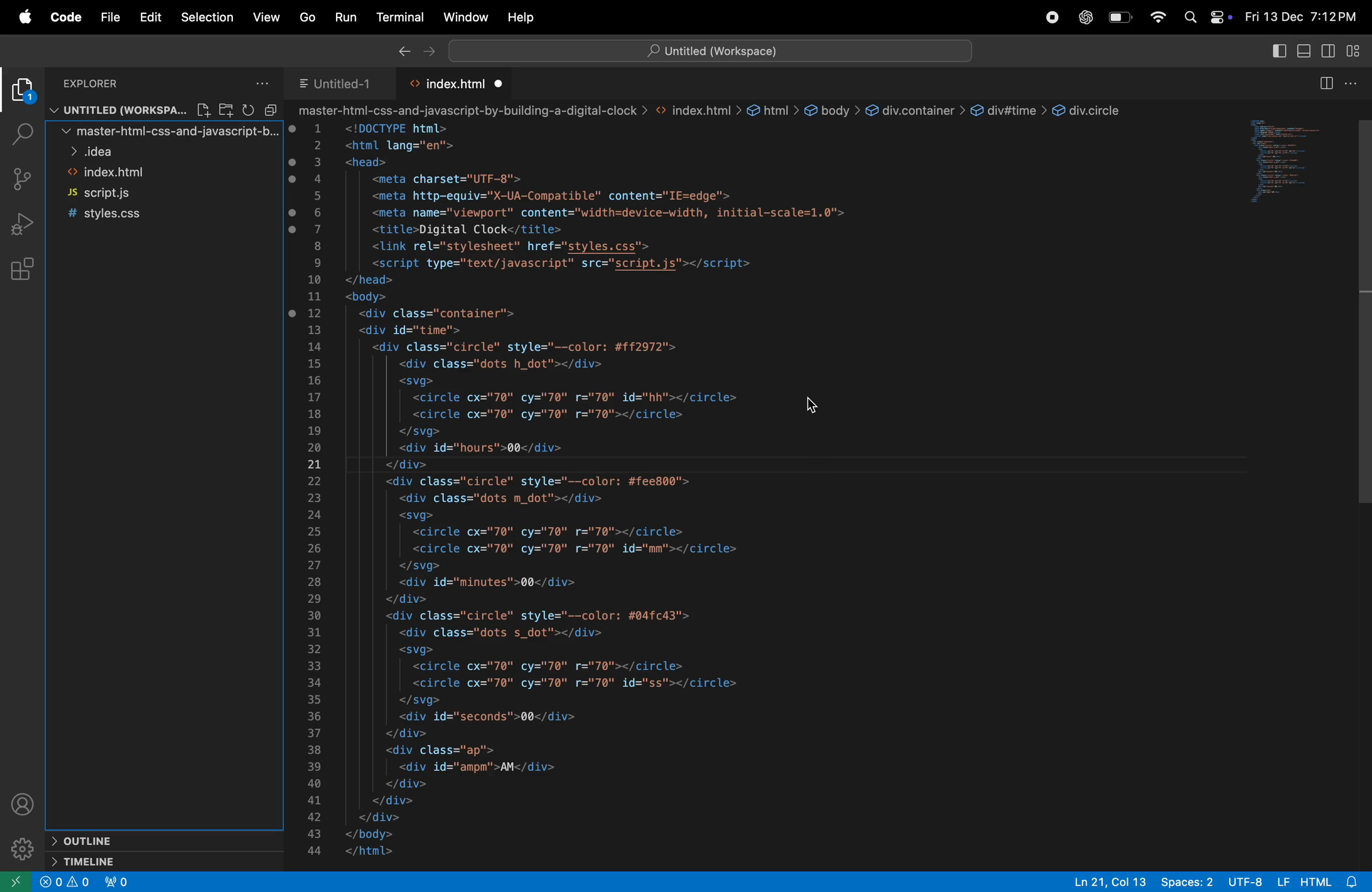  I want to click on collapse file explorer, so click(269, 109).